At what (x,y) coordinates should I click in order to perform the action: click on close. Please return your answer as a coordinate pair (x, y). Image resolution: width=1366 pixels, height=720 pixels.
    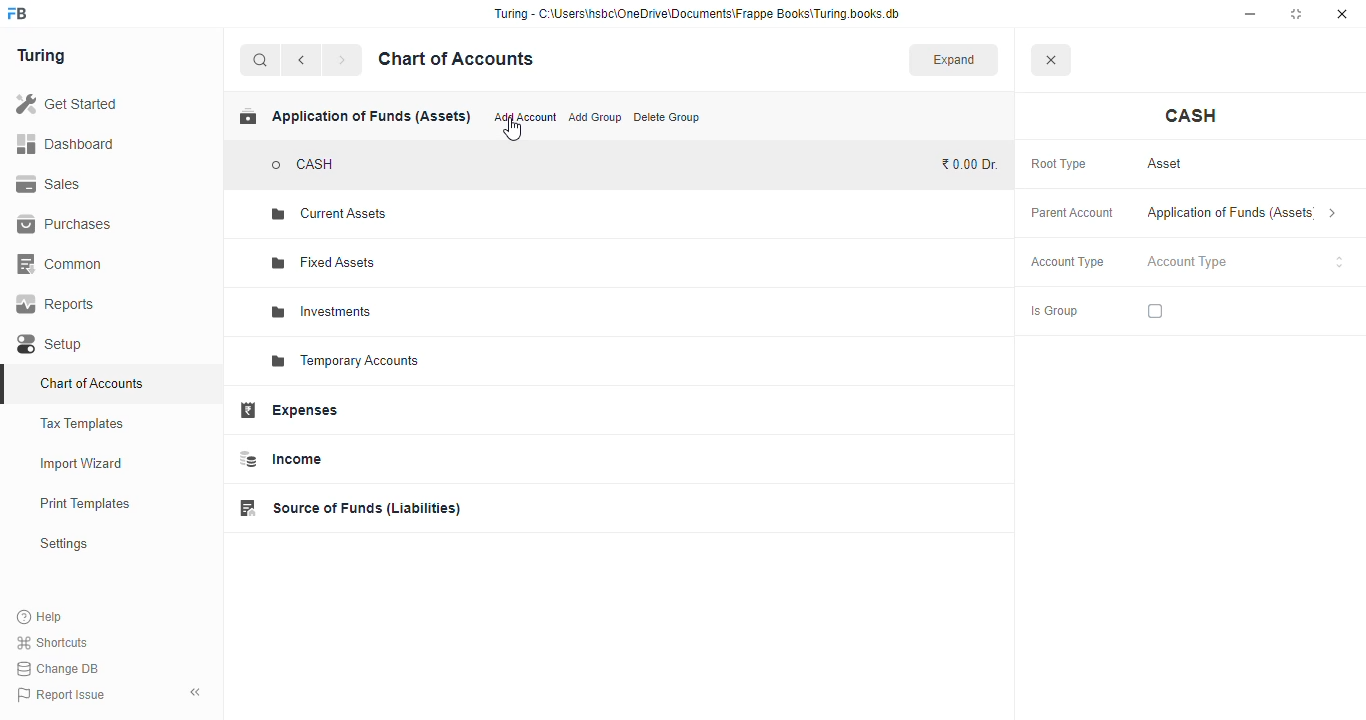
    Looking at the image, I should click on (1050, 59).